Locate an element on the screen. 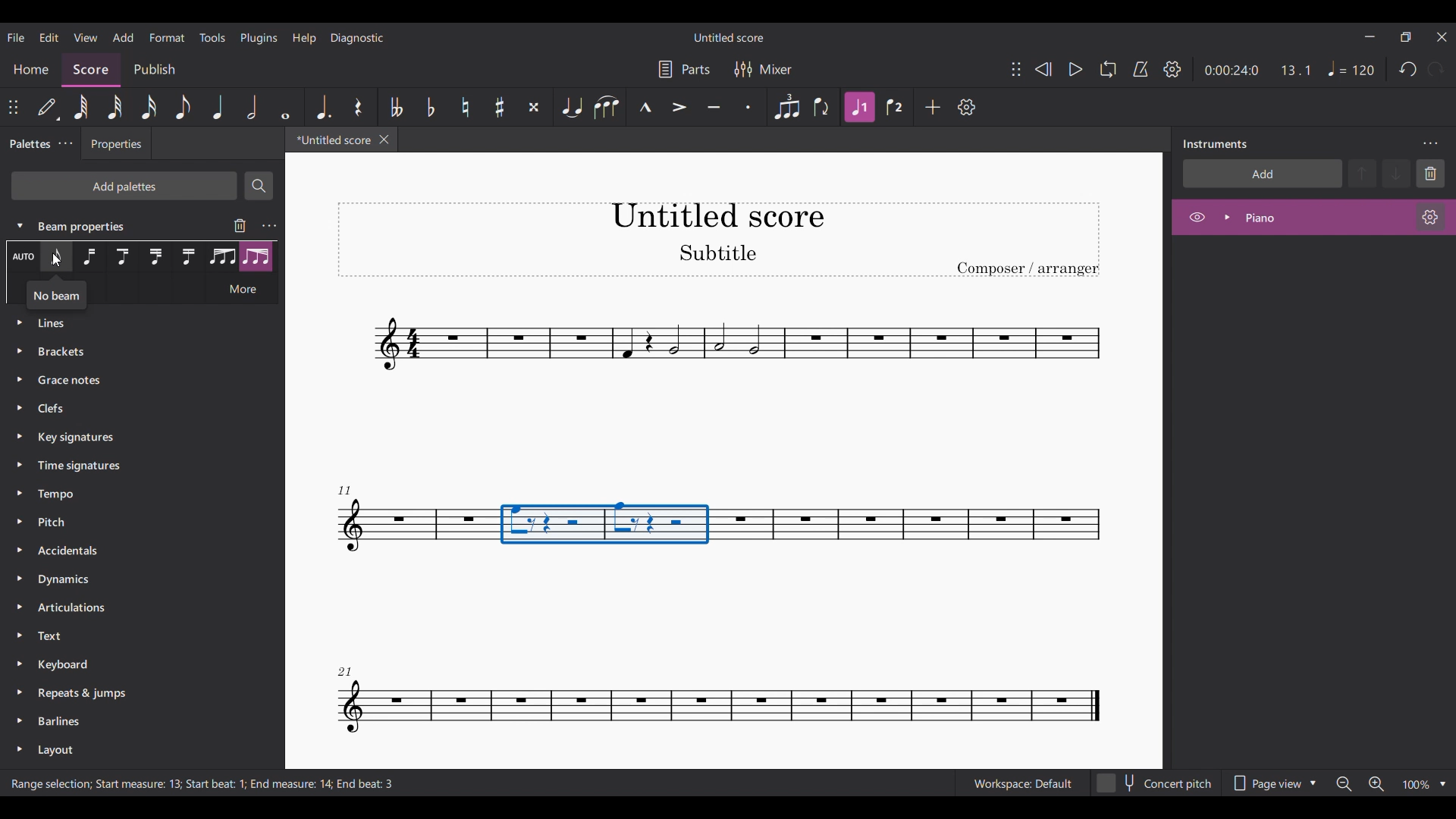 The image size is (1456, 819). Layout is located at coordinates (130, 752).